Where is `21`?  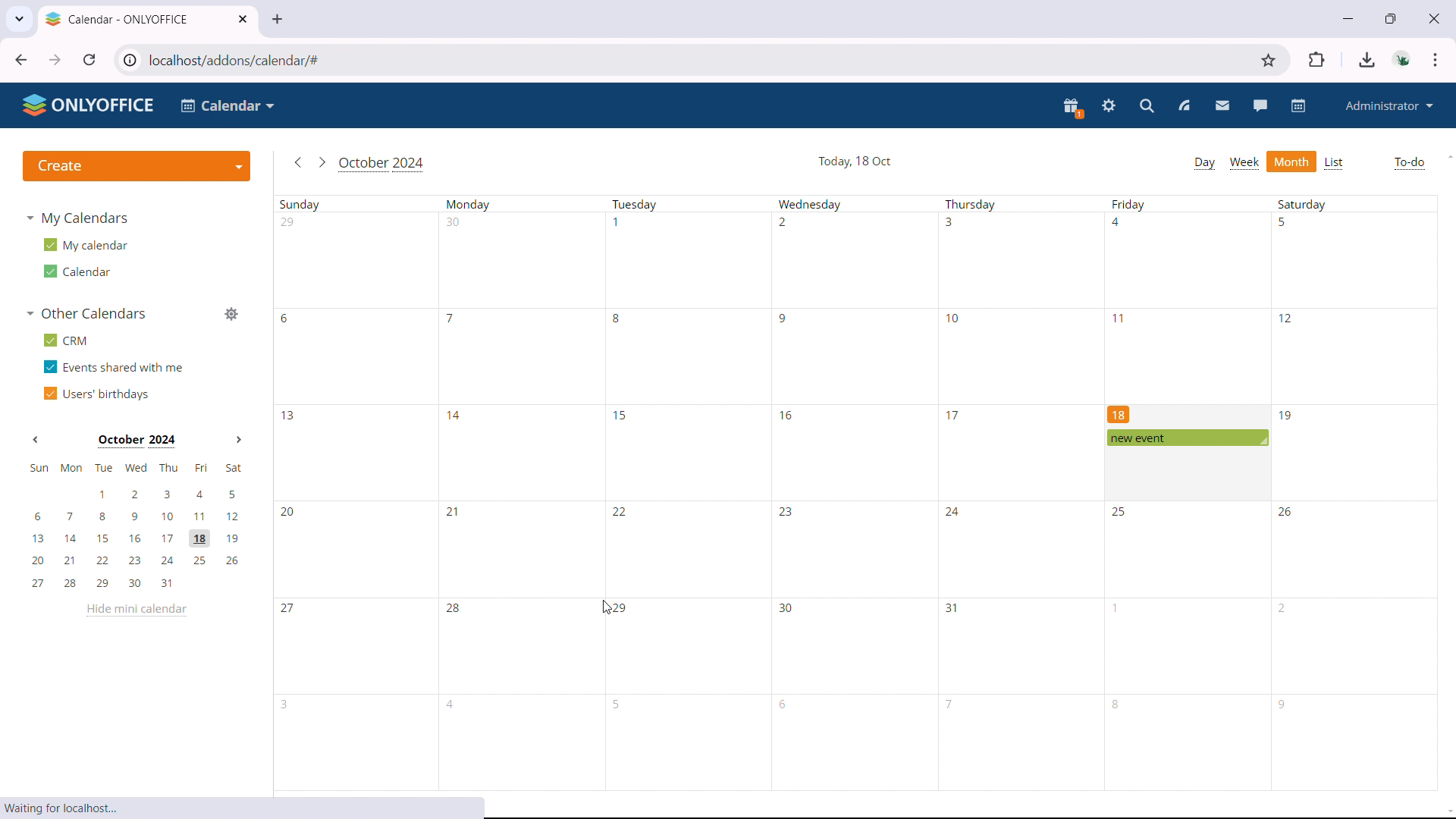 21 is located at coordinates (450, 510).